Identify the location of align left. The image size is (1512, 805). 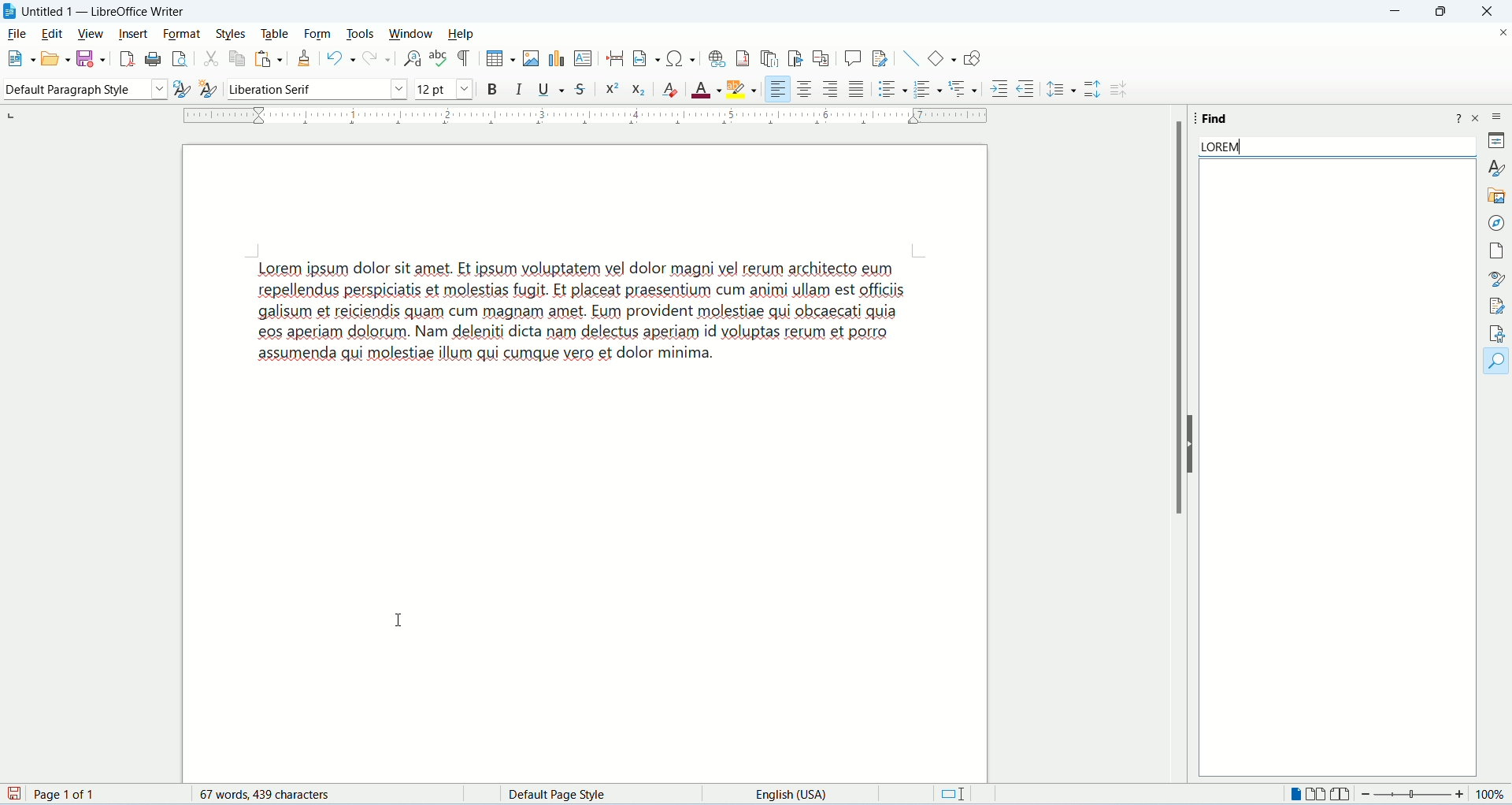
(776, 88).